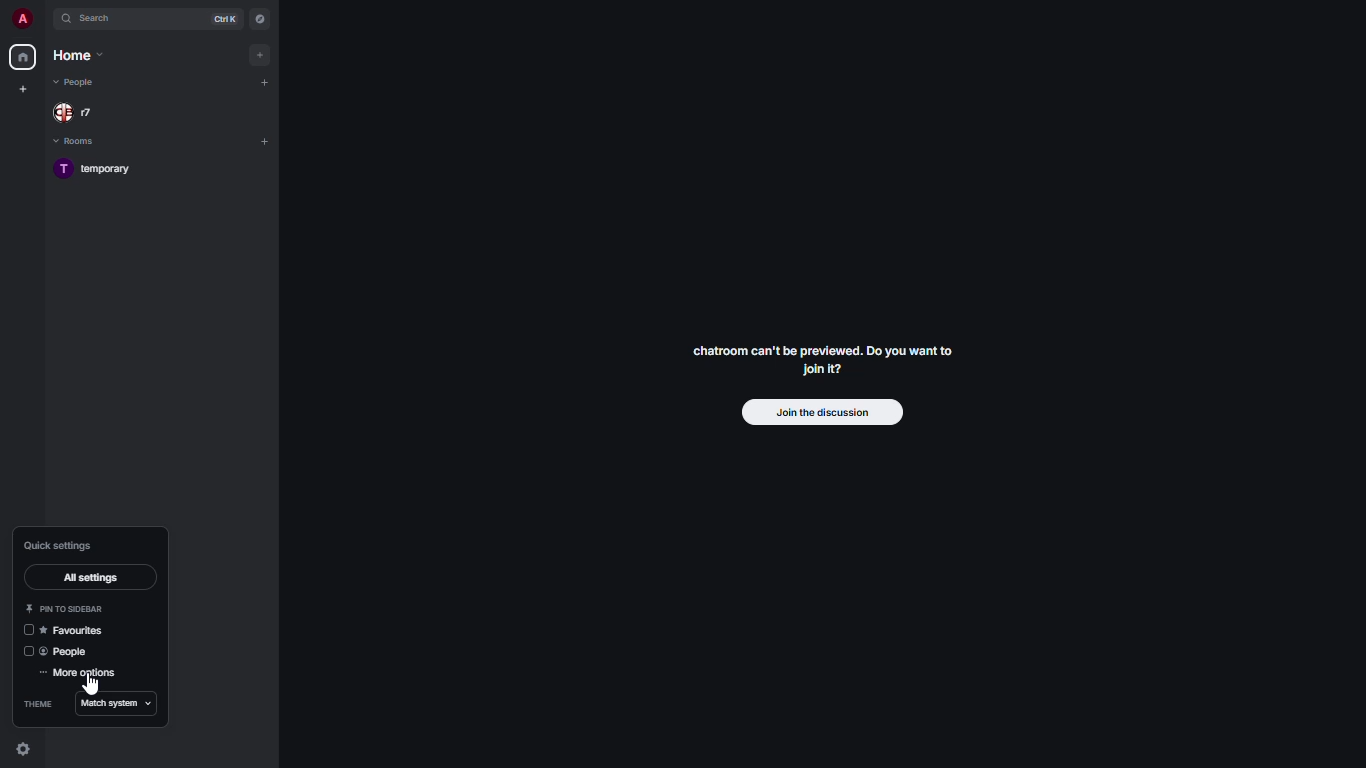 The height and width of the screenshot is (768, 1366). What do you see at coordinates (821, 364) in the screenshot?
I see `chatroom can't be previewed` at bounding box center [821, 364].